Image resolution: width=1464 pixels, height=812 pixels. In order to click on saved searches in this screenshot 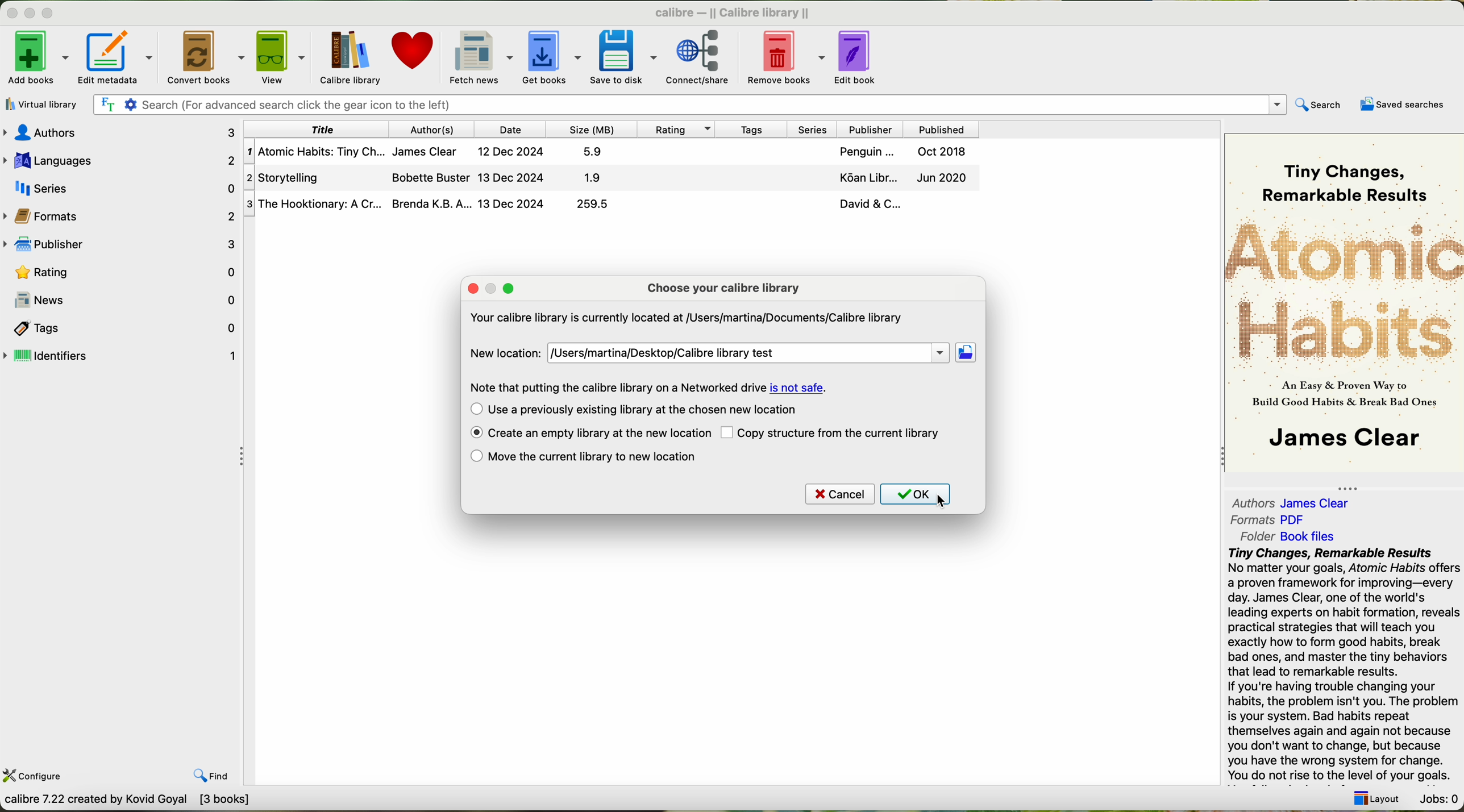, I will do `click(1405, 105)`.